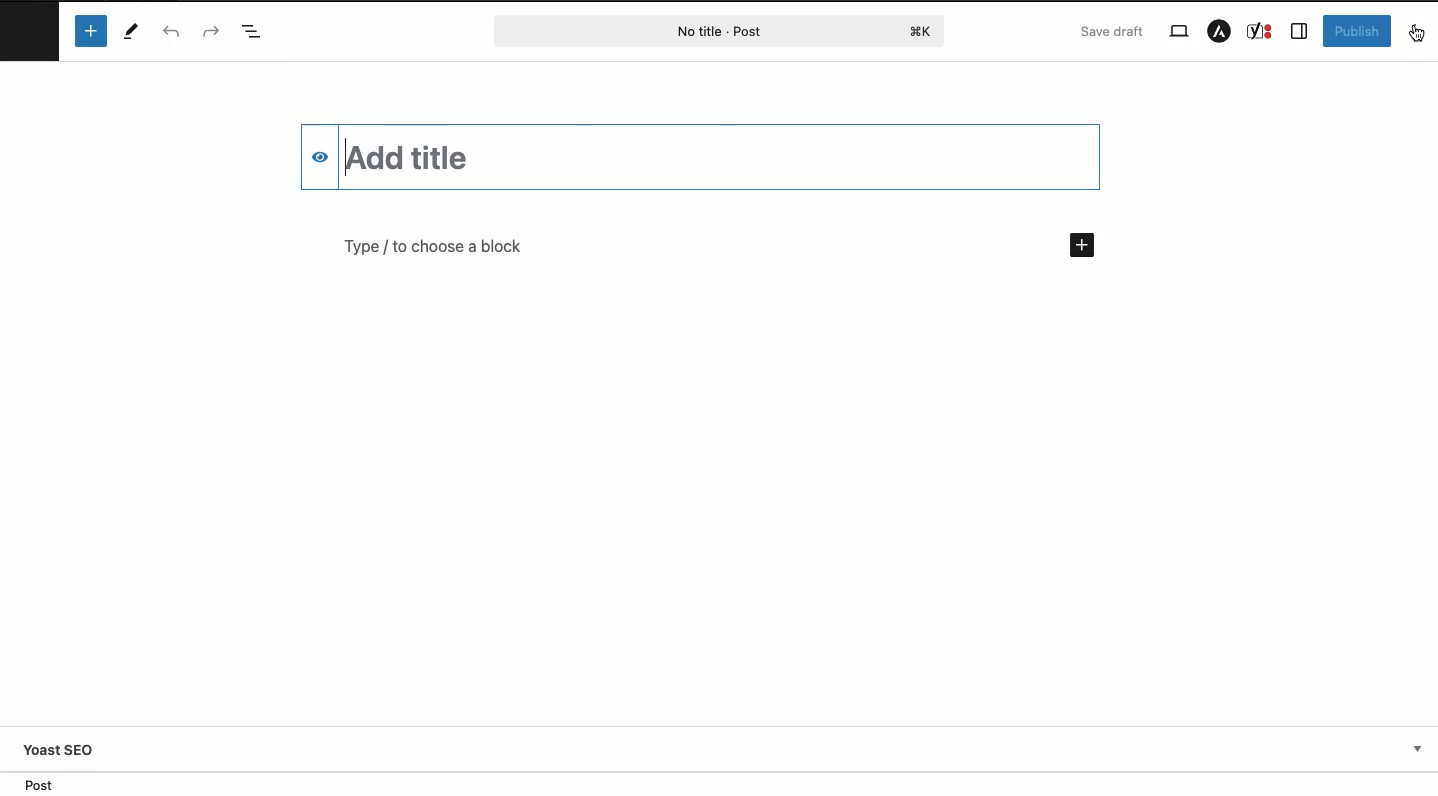 This screenshot has width=1438, height=796. What do you see at coordinates (489, 251) in the screenshot?
I see `Text` at bounding box center [489, 251].